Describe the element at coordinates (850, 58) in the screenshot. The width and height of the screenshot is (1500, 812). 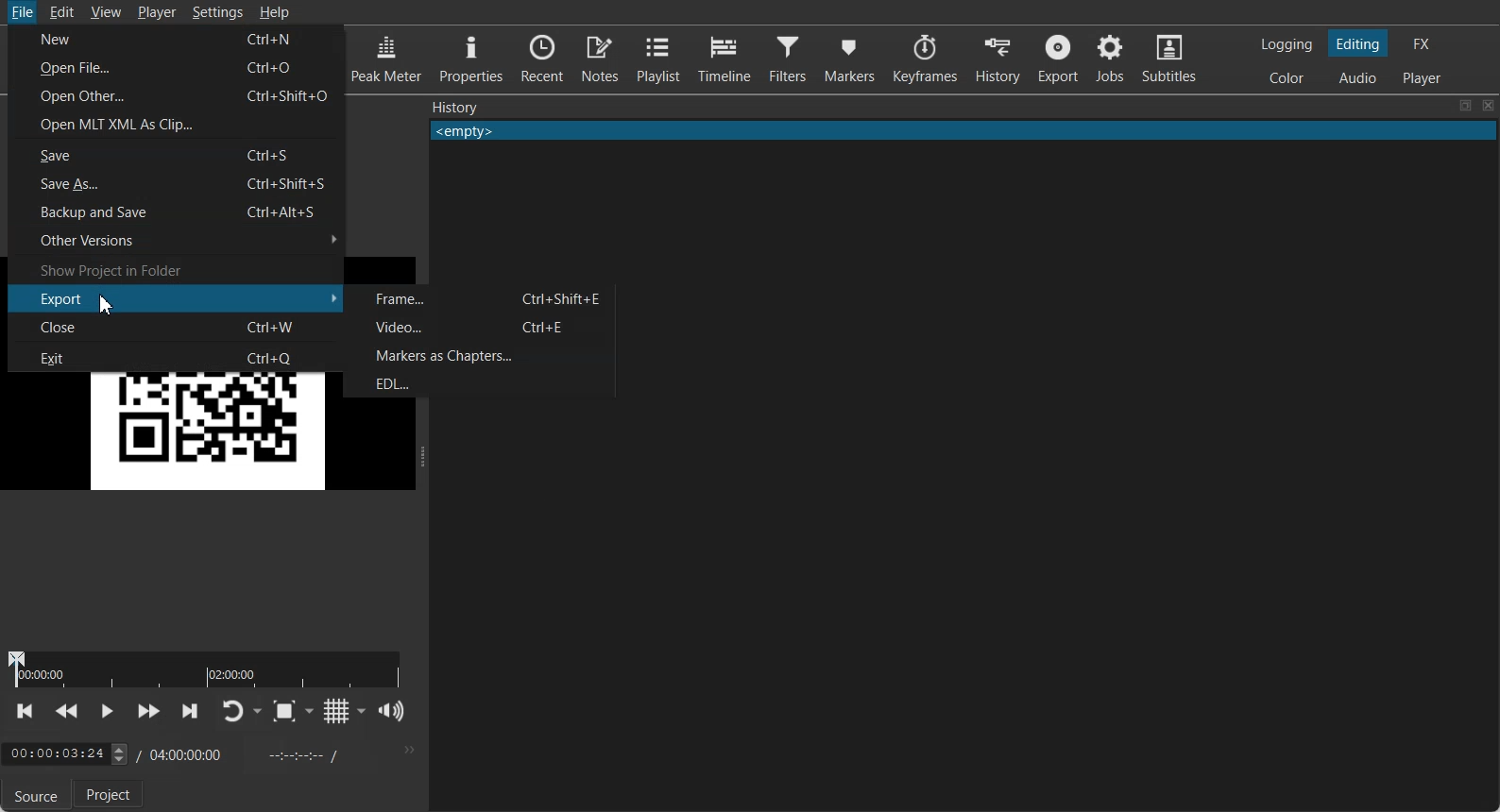
I see `Markers` at that location.